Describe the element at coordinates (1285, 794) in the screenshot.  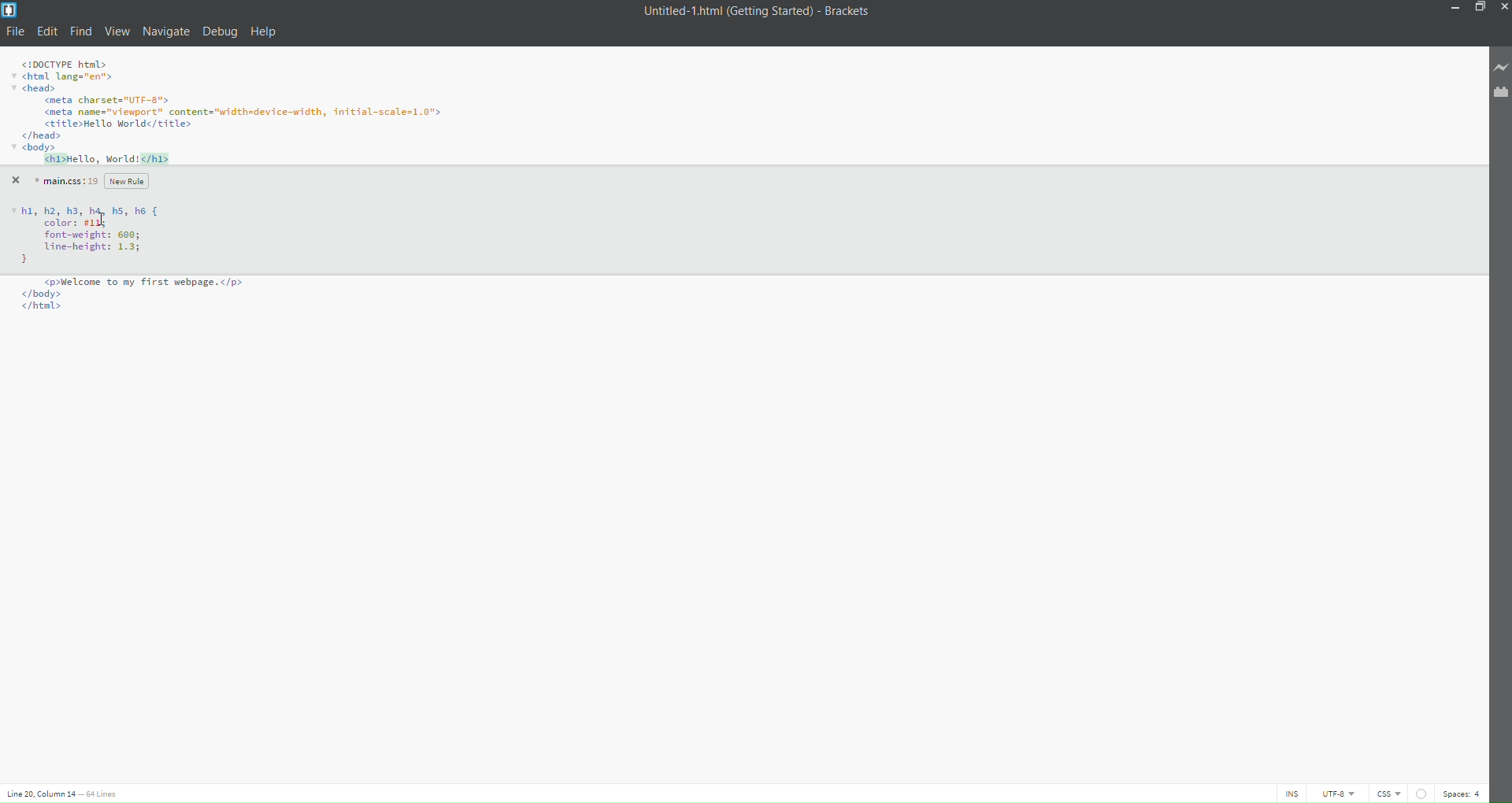
I see `ins` at that location.